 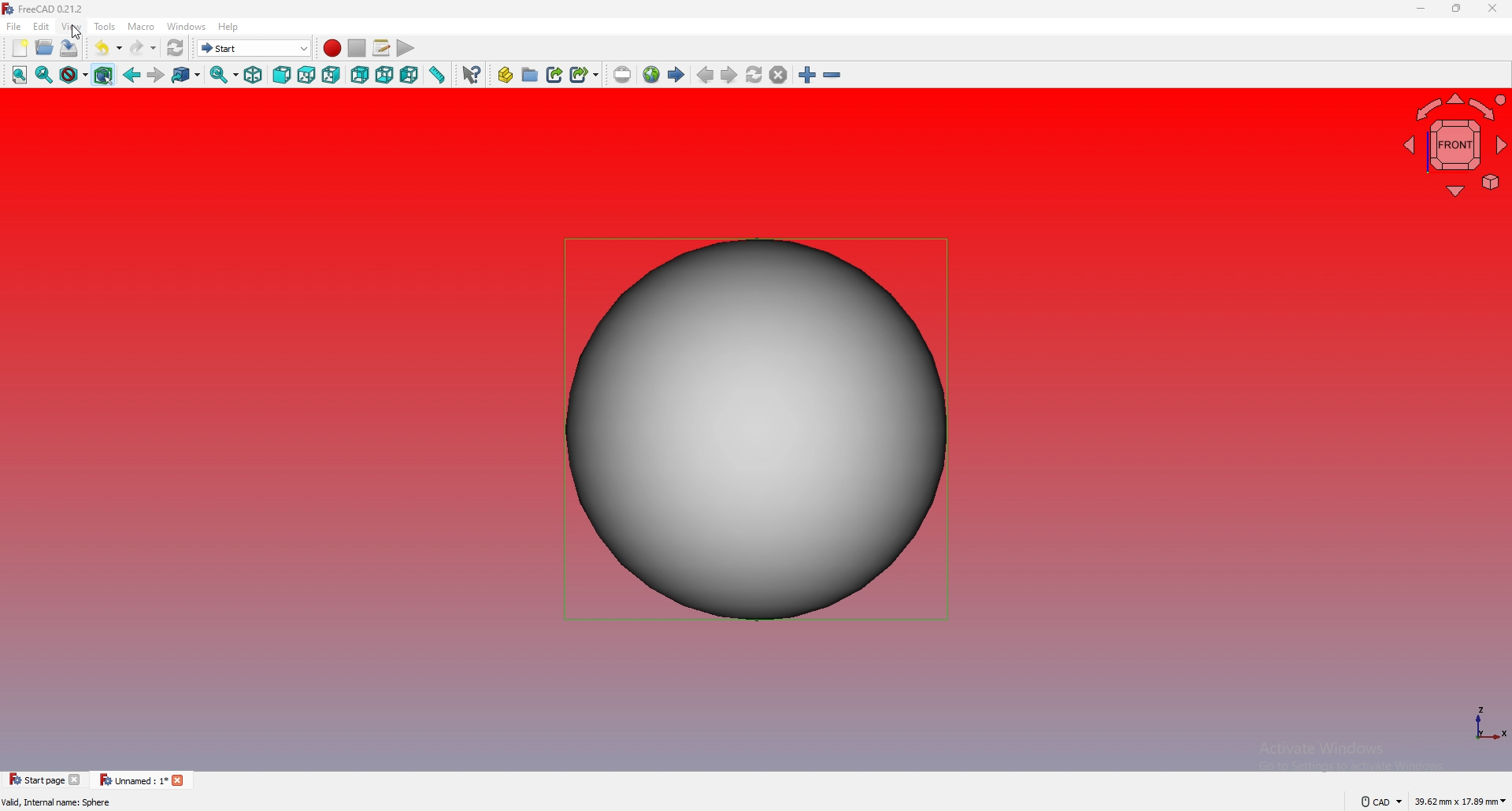 I want to click on top, so click(x=306, y=75).